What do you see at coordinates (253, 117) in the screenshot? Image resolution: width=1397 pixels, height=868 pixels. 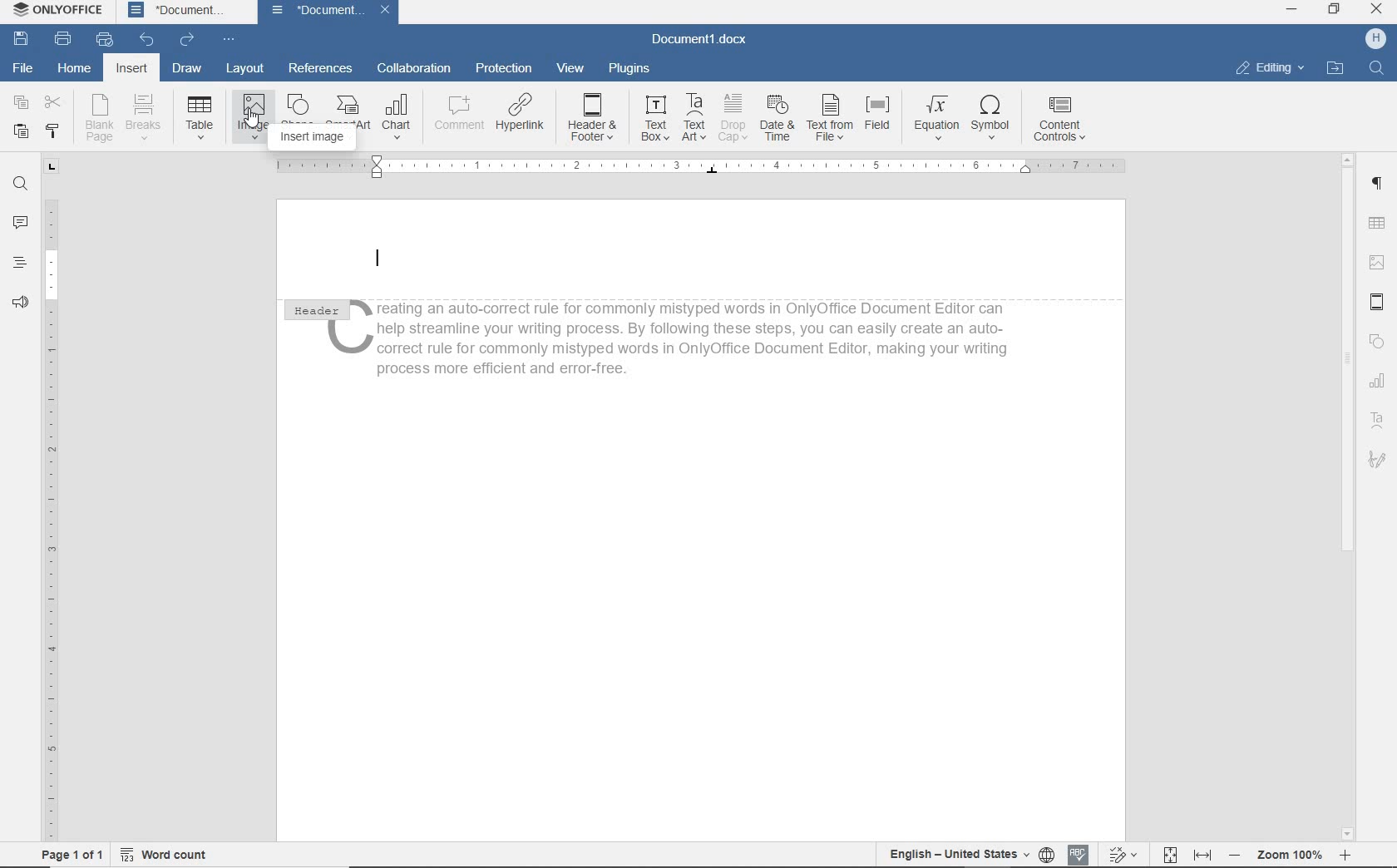 I see `Cursor` at bounding box center [253, 117].